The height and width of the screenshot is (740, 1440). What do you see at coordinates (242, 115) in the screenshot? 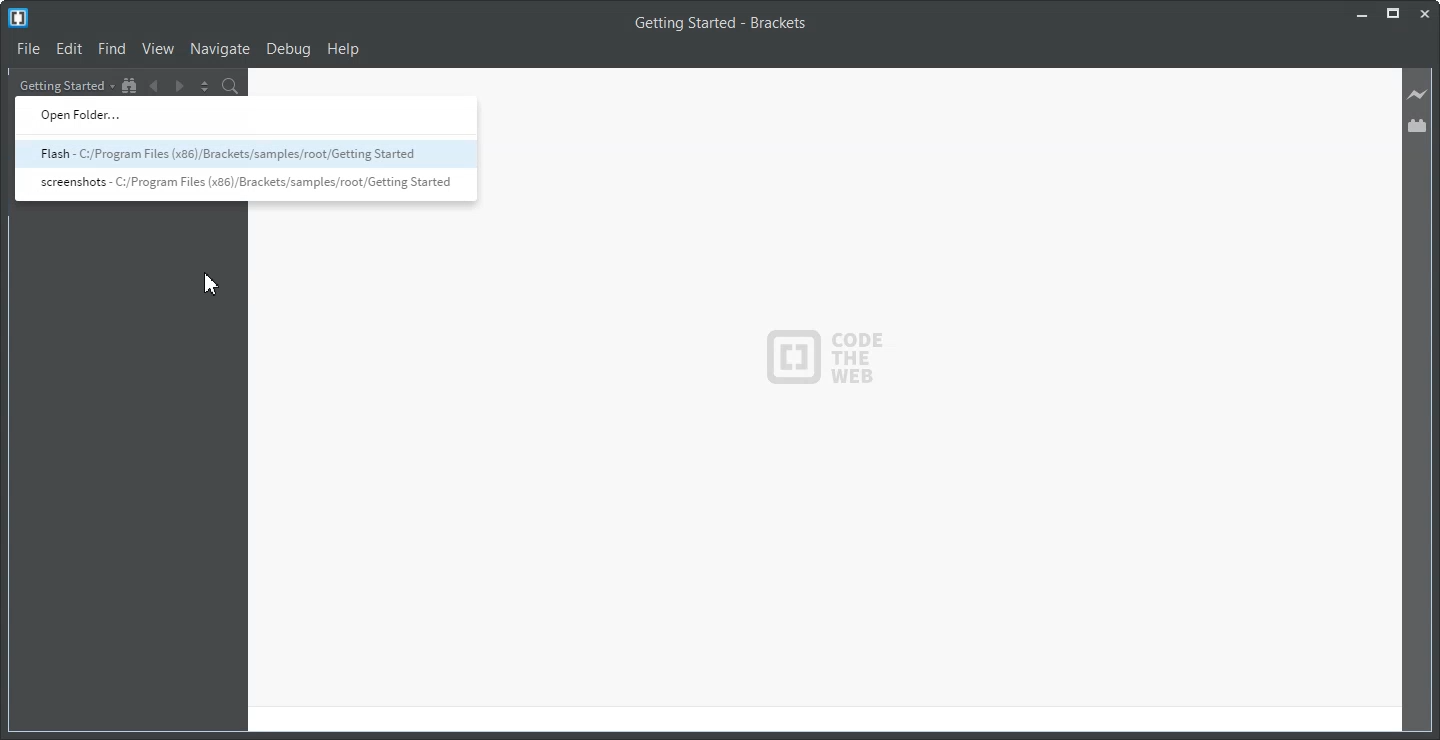
I see `Open Folder` at bounding box center [242, 115].